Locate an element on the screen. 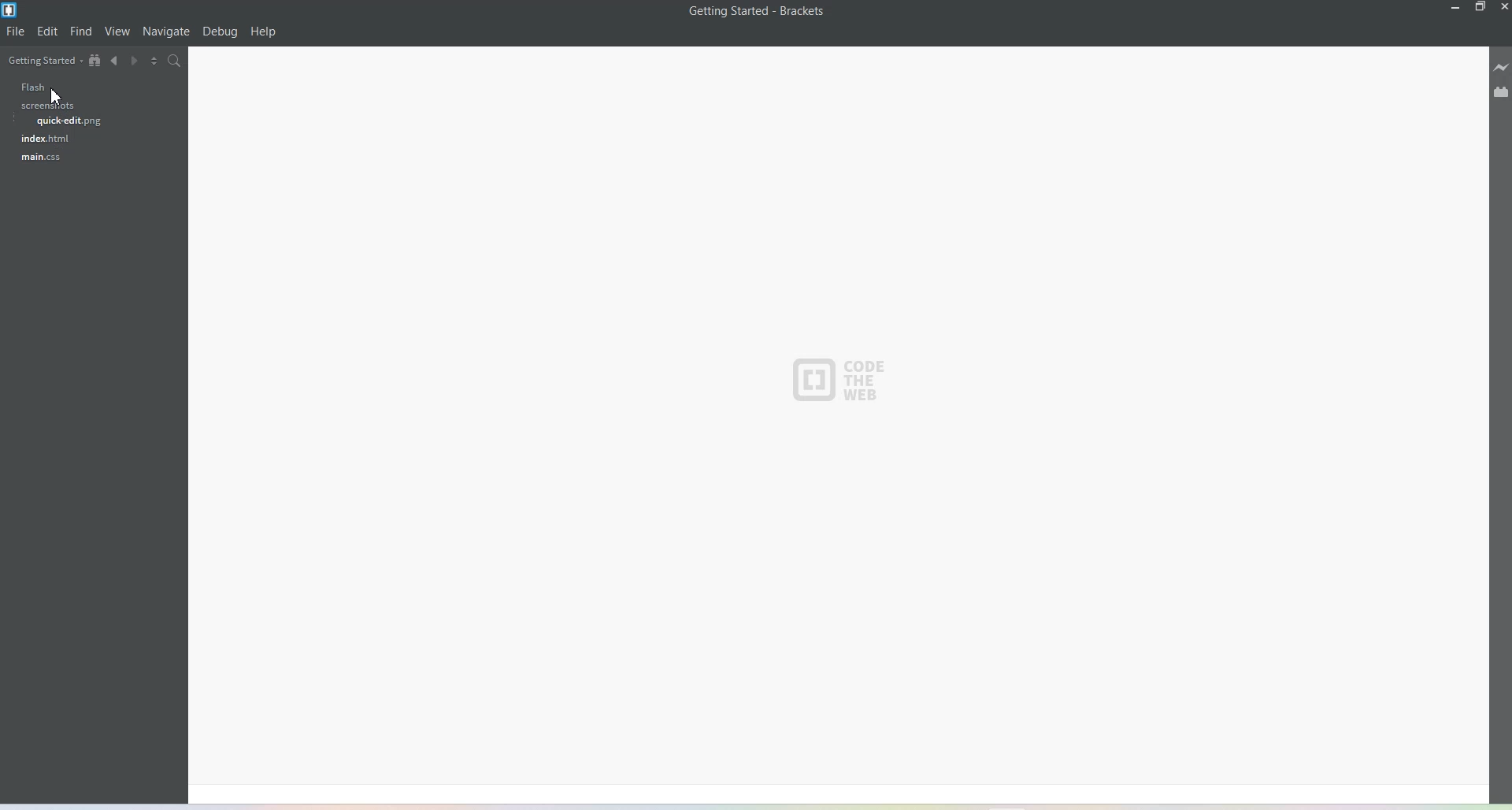 The image size is (1512, 810). Help is located at coordinates (264, 32).